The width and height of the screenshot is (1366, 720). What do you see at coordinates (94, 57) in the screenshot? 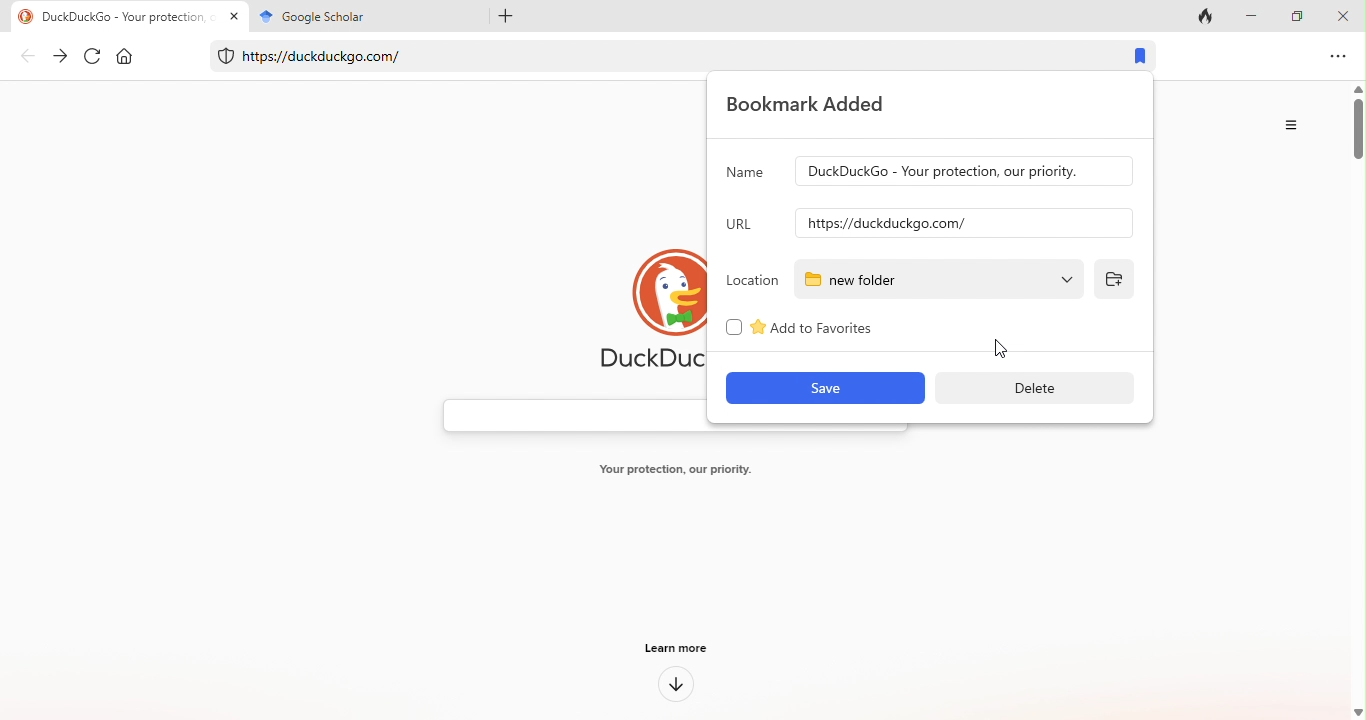
I see `refresh` at bounding box center [94, 57].